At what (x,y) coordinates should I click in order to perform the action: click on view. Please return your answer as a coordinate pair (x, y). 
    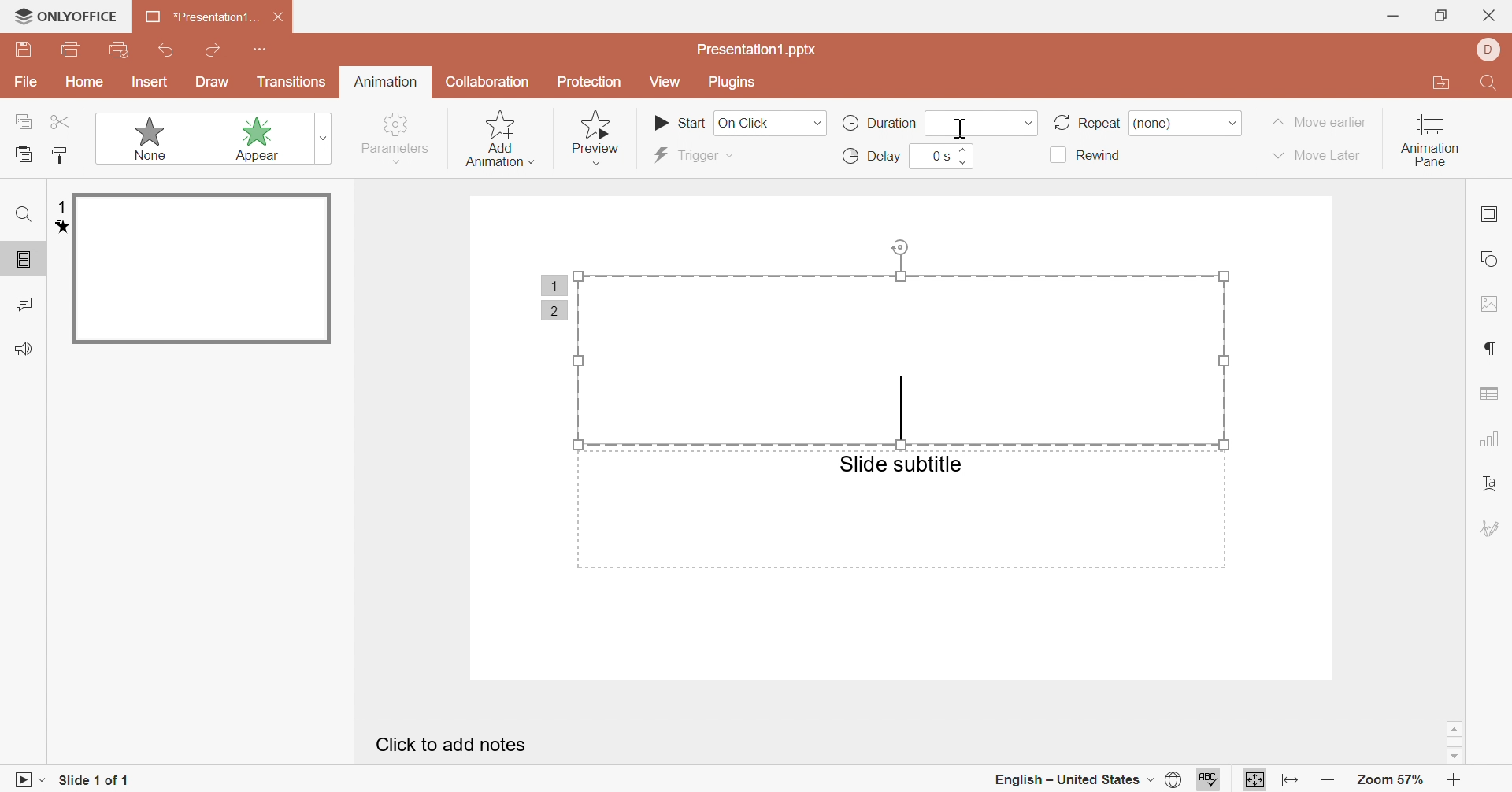
    Looking at the image, I should click on (665, 81).